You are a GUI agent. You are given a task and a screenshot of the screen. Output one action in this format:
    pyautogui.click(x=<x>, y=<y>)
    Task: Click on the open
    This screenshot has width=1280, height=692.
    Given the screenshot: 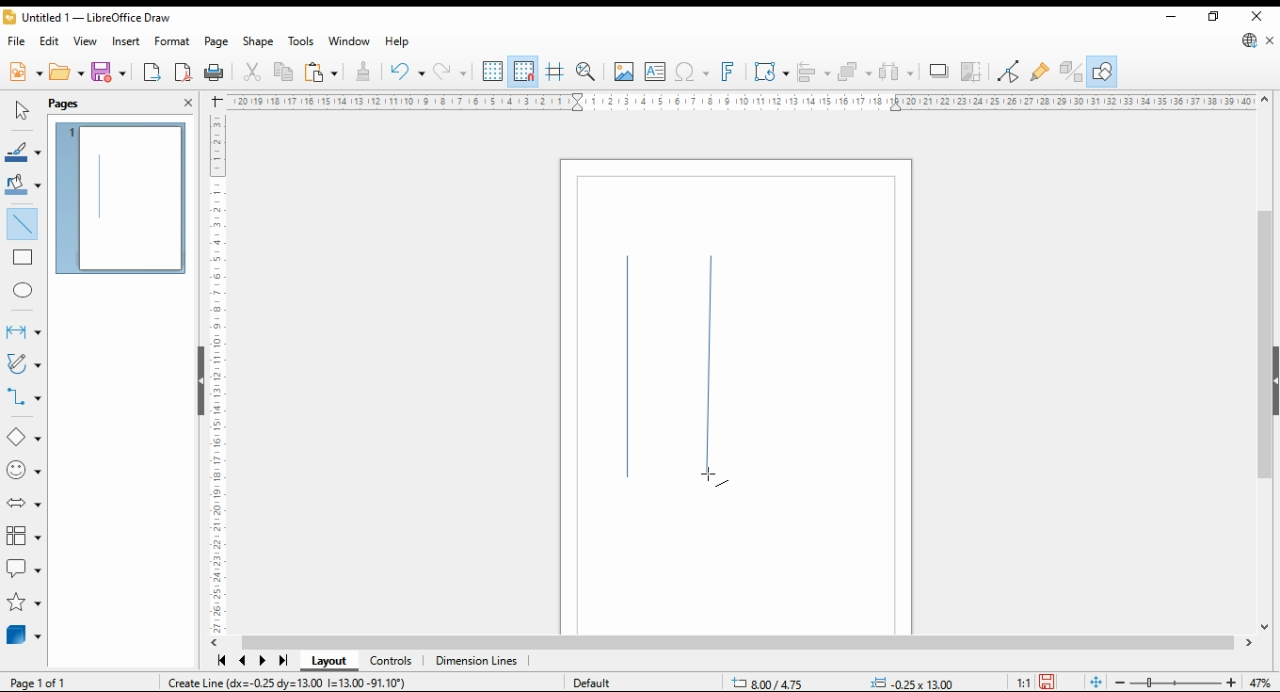 What is the action you would take?
    pyautogui.click(x=66, y=73)
    